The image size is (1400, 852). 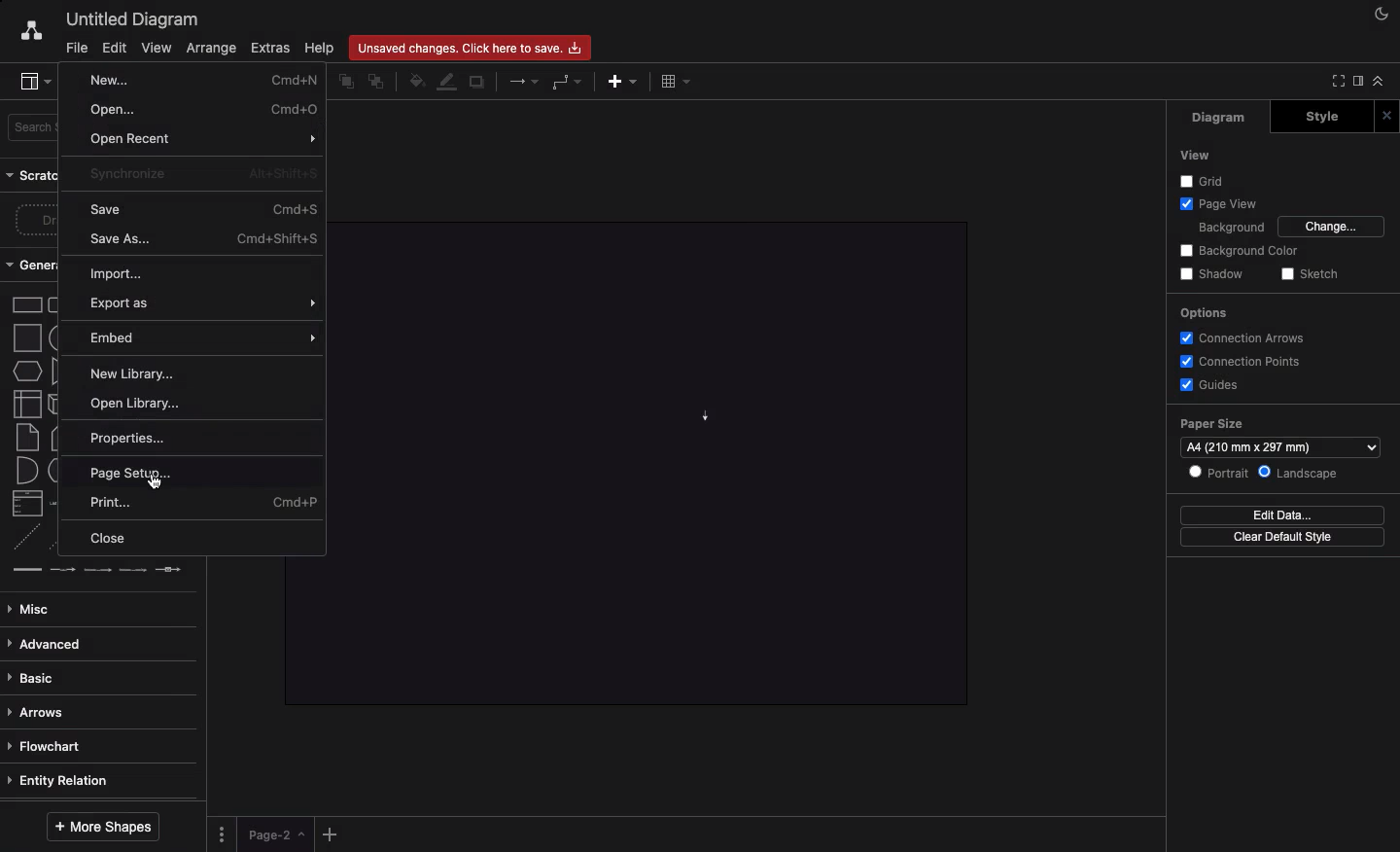 I want to click on Print, so click(x=205, y=503).